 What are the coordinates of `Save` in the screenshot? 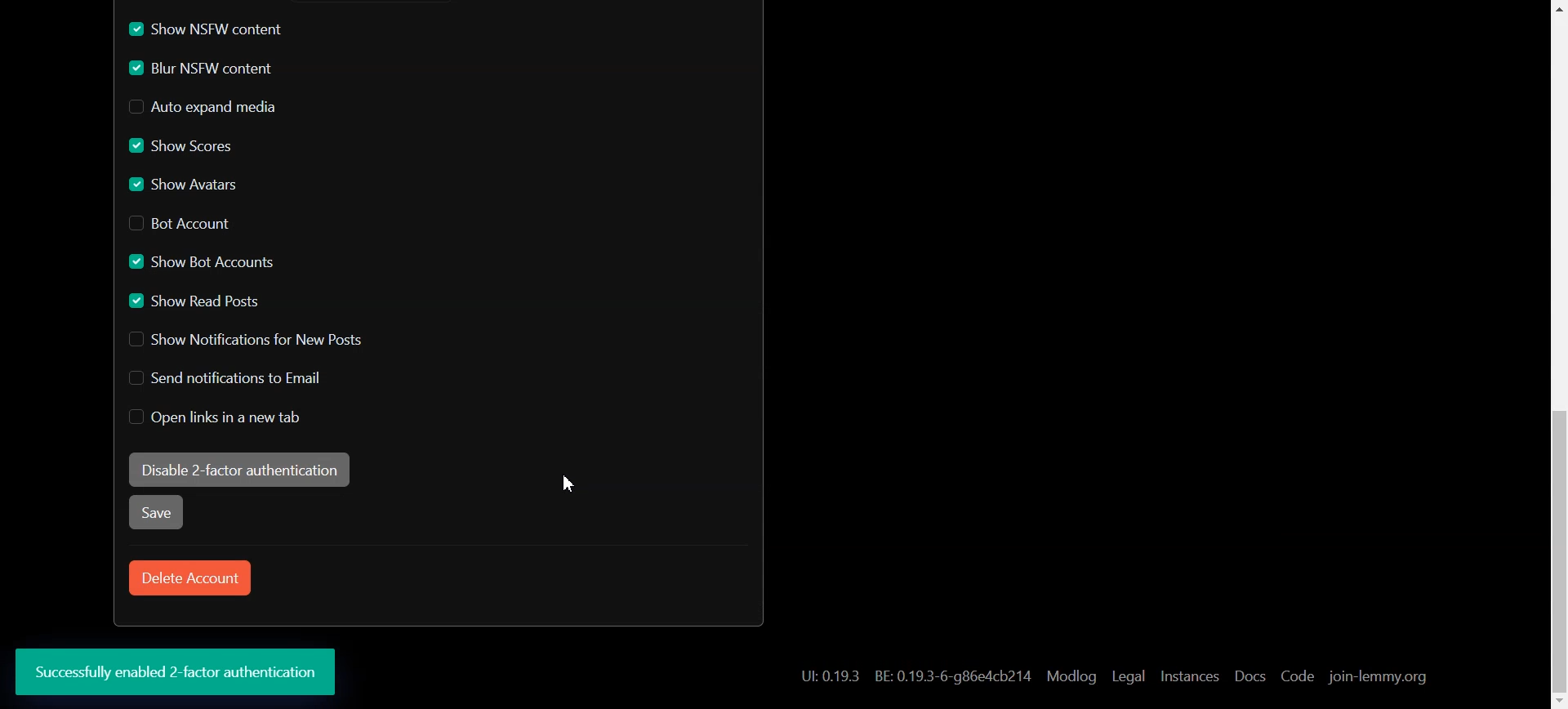 It's located at (158, 511).